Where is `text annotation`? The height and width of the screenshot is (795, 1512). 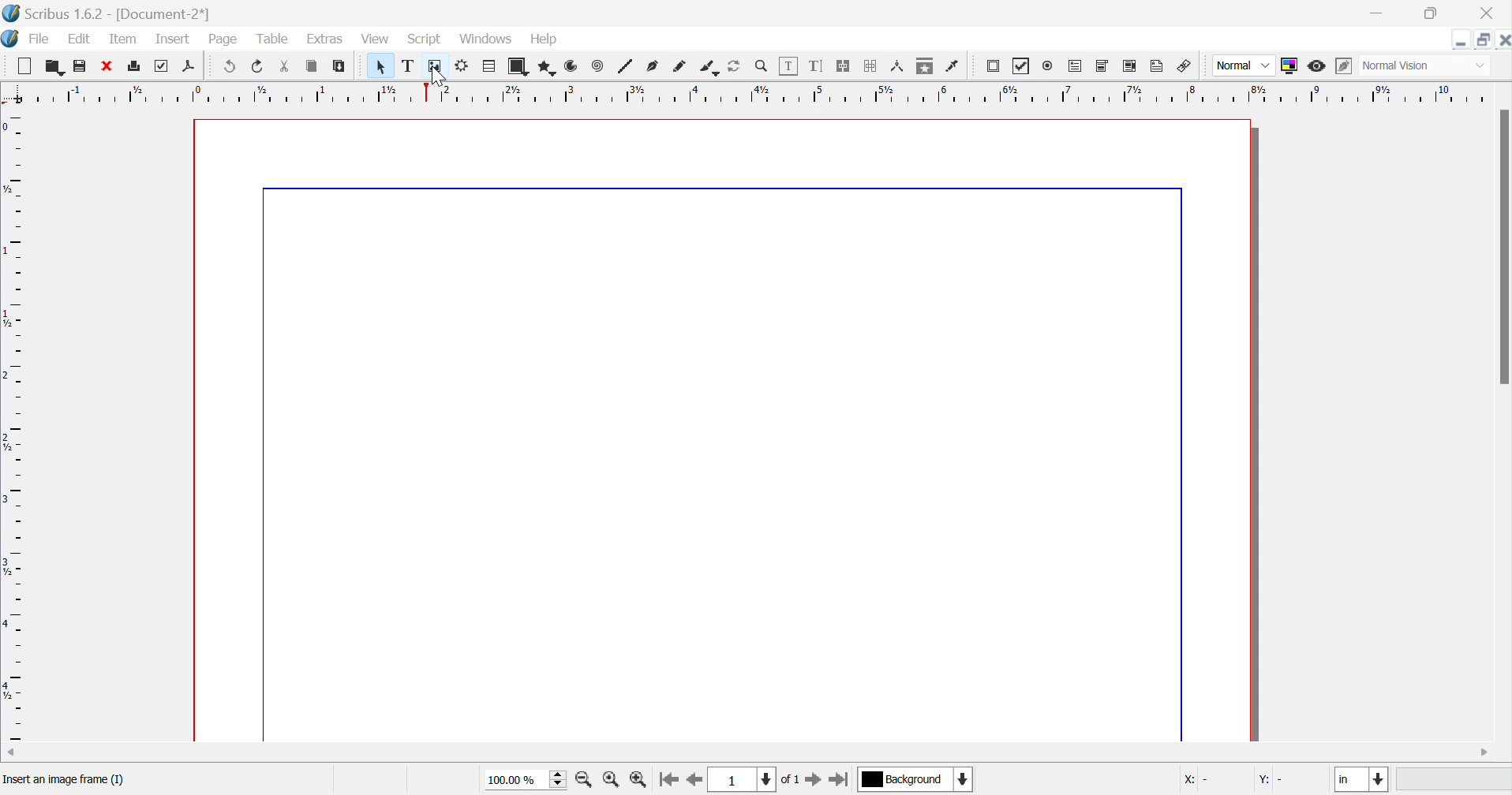
text annotation is located at coordinates (1158, 64).